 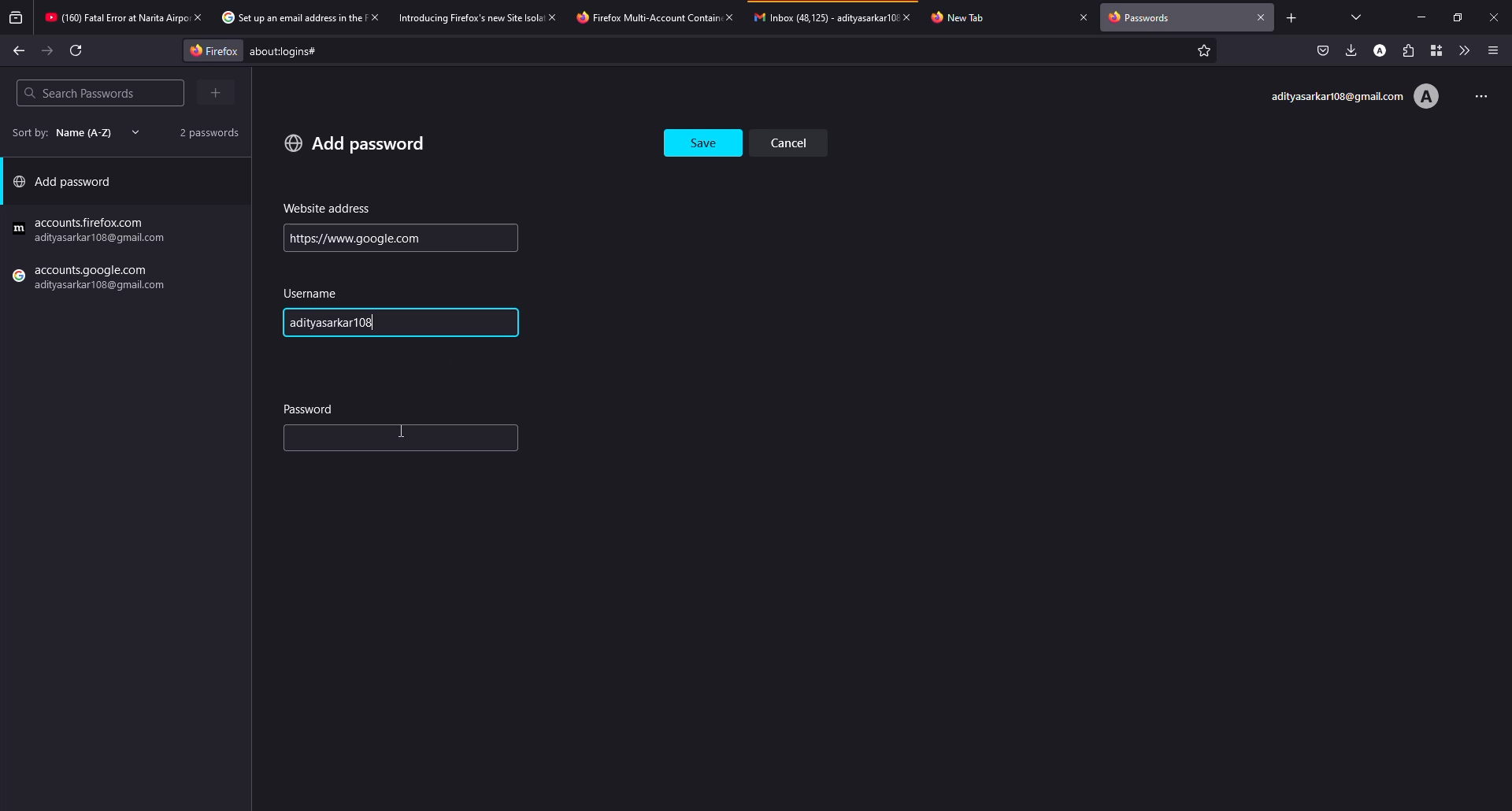 I want to click on tab, so click(x=644, y=17).